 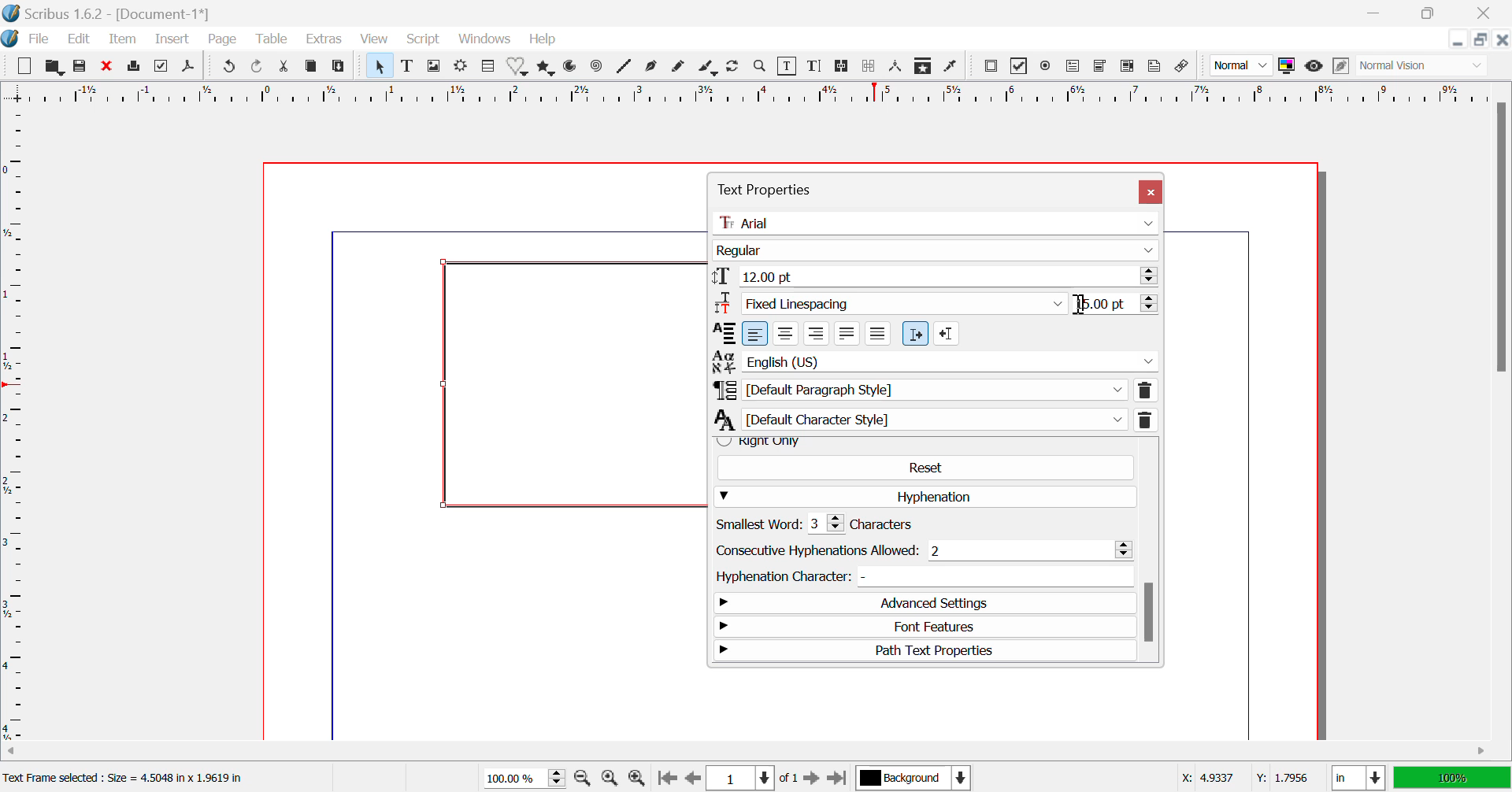 I want to click on Path Text Properties, so click(x=926, y=650).